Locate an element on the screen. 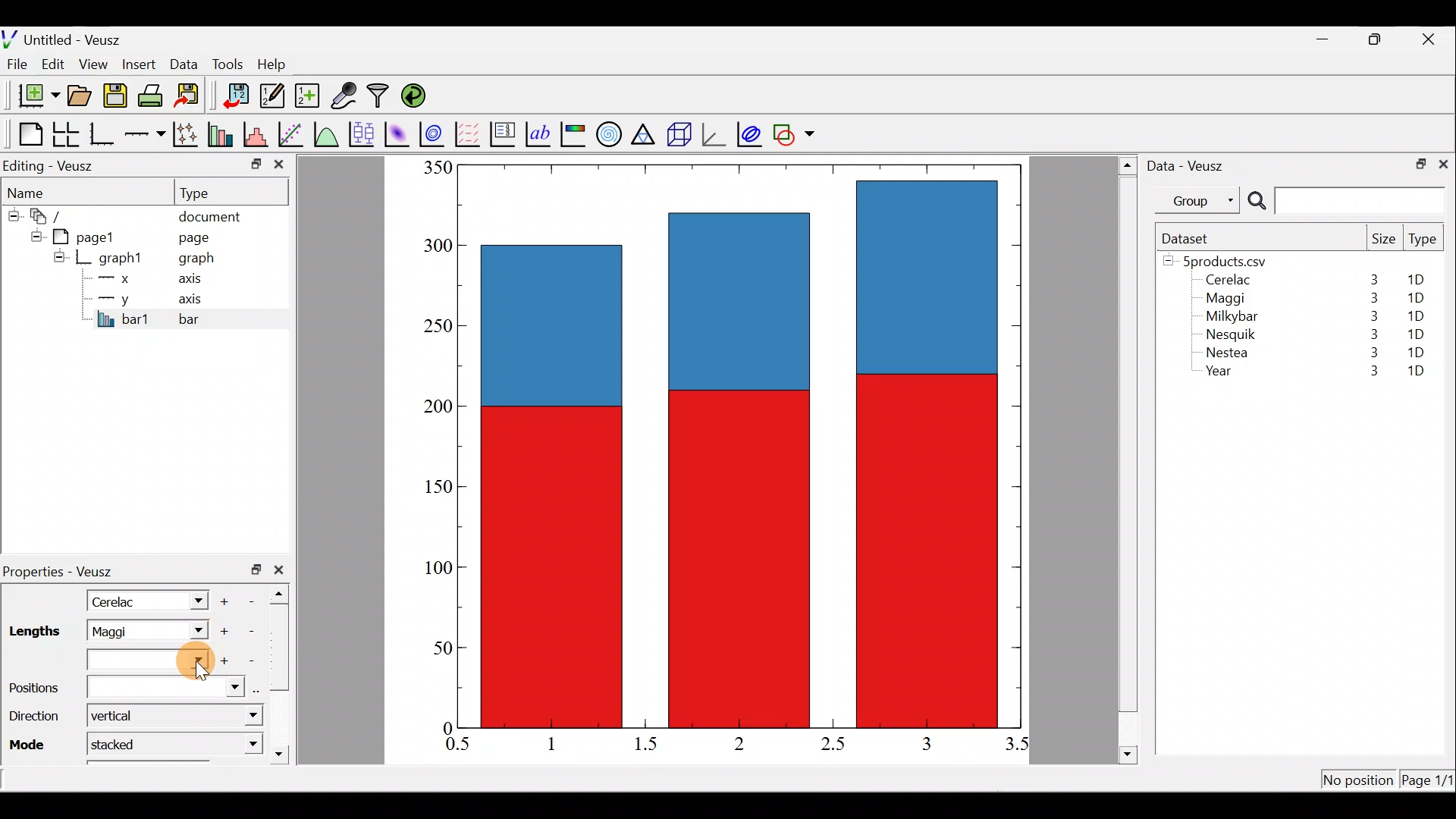 This screenshot has height=819, width=1456. Plot a 2d dataset as an image is located at coordinates (399, 132).